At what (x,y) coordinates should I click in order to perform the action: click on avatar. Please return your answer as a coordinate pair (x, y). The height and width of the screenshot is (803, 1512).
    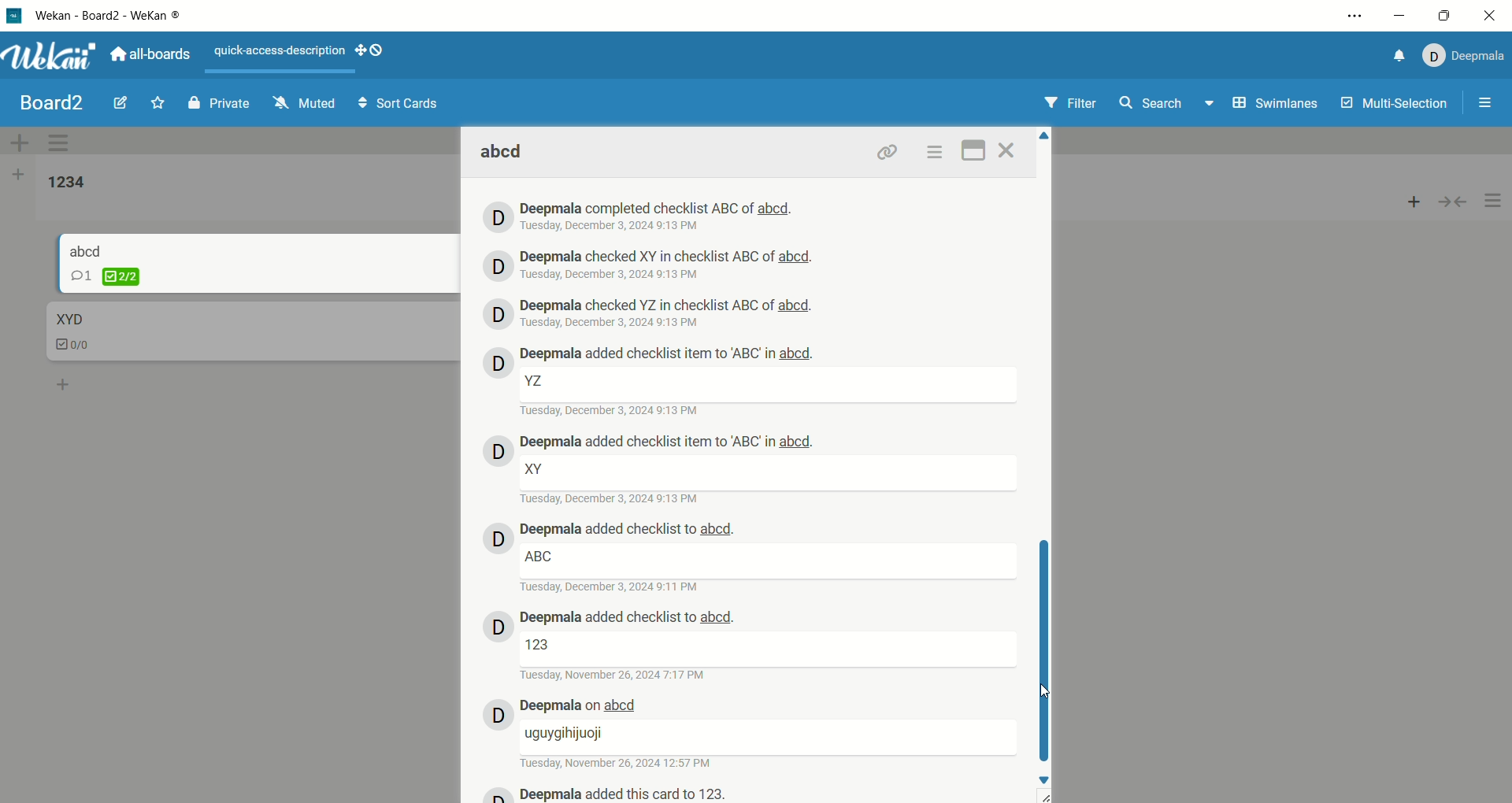
    Looking at the image, I should click on (495, 361).